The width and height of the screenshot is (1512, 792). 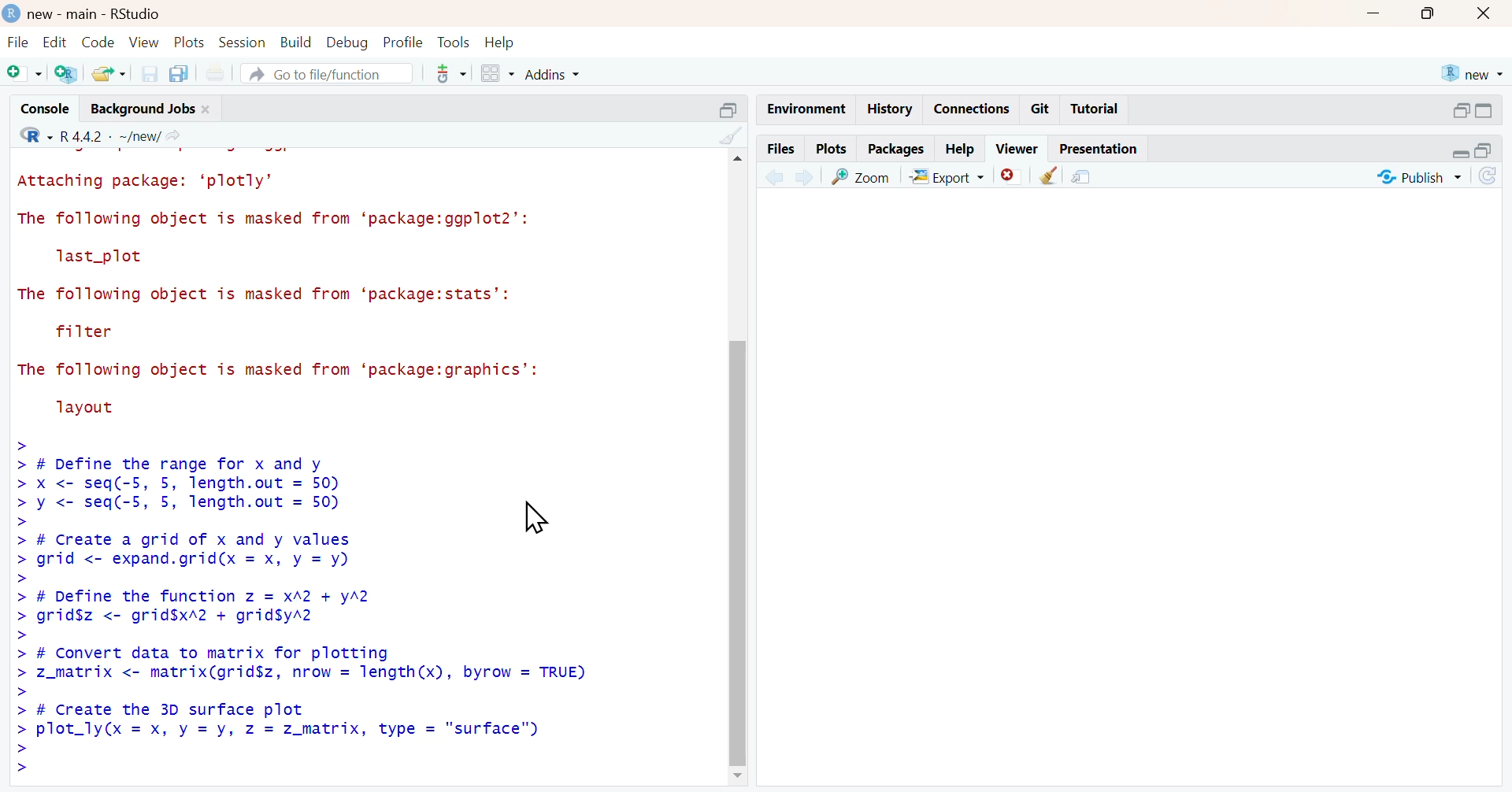 I want to click on minimize, so click(x=1459, y=109).